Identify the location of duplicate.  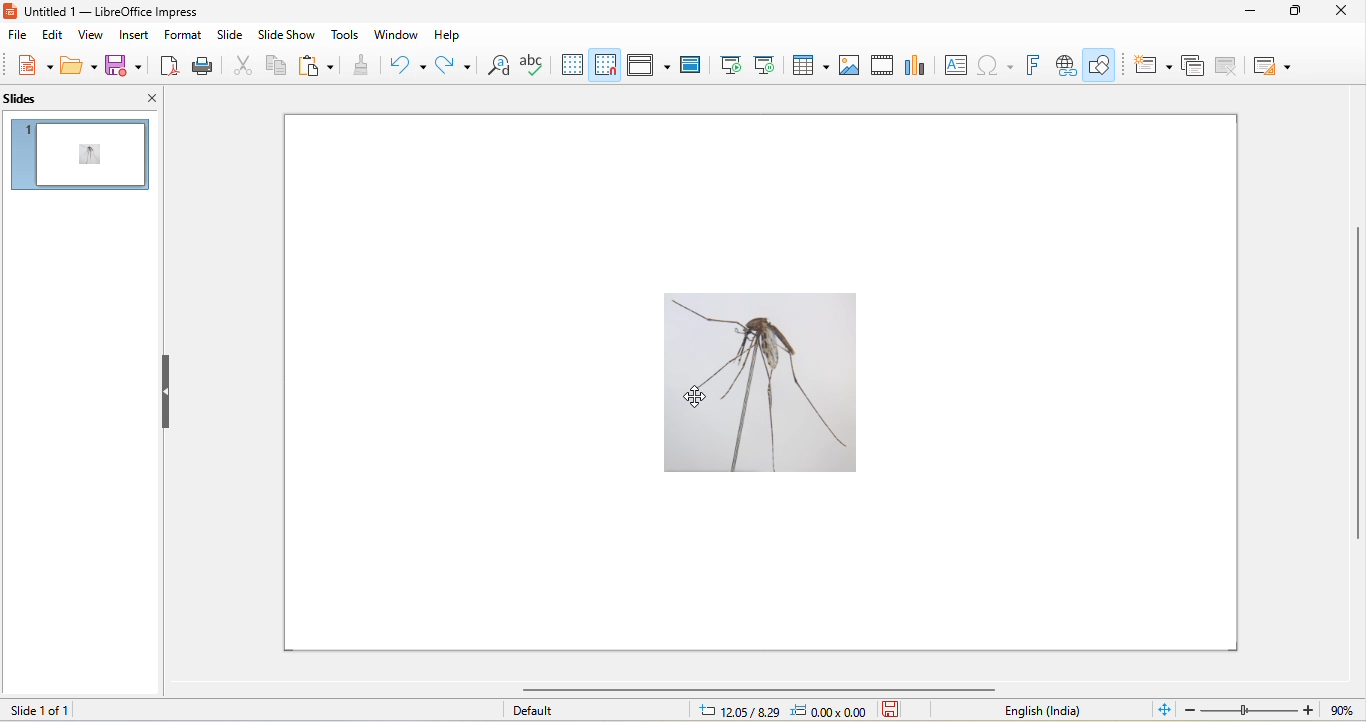
(1194, 65).